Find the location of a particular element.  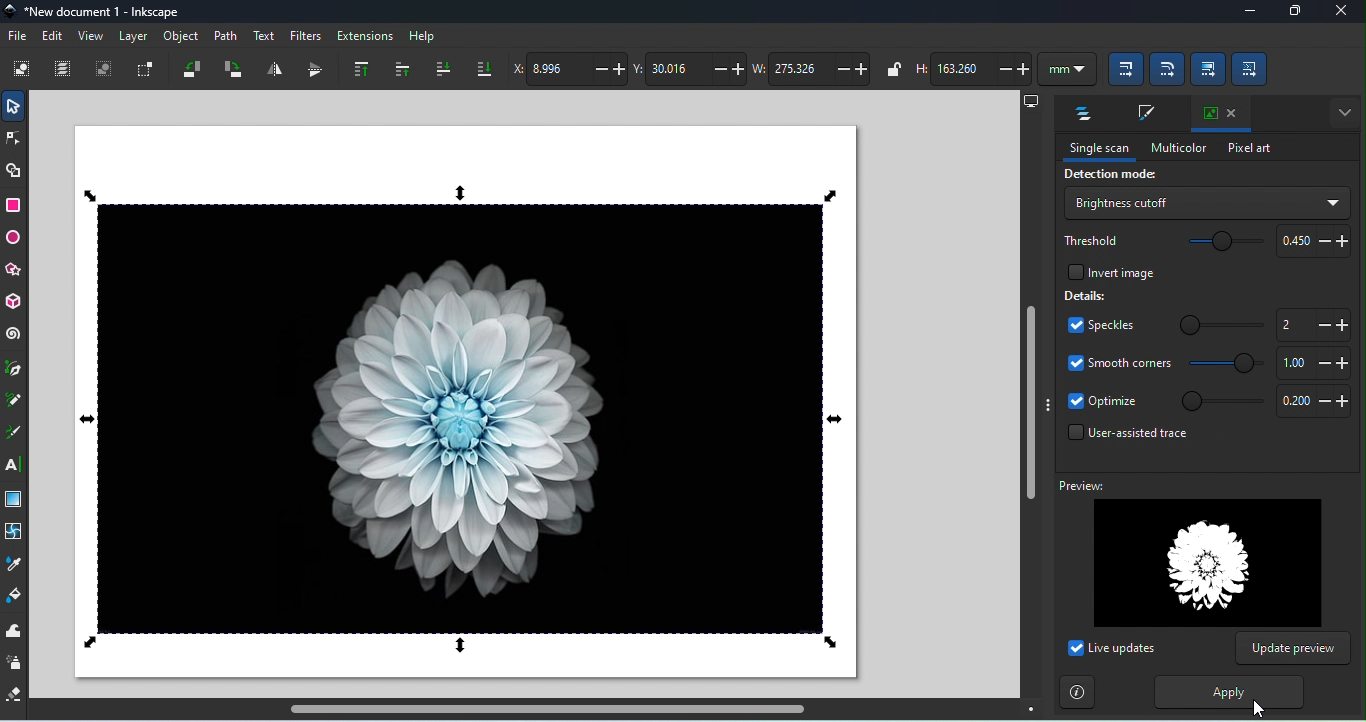

Select all in all layers is located at coordinates (65, 69).